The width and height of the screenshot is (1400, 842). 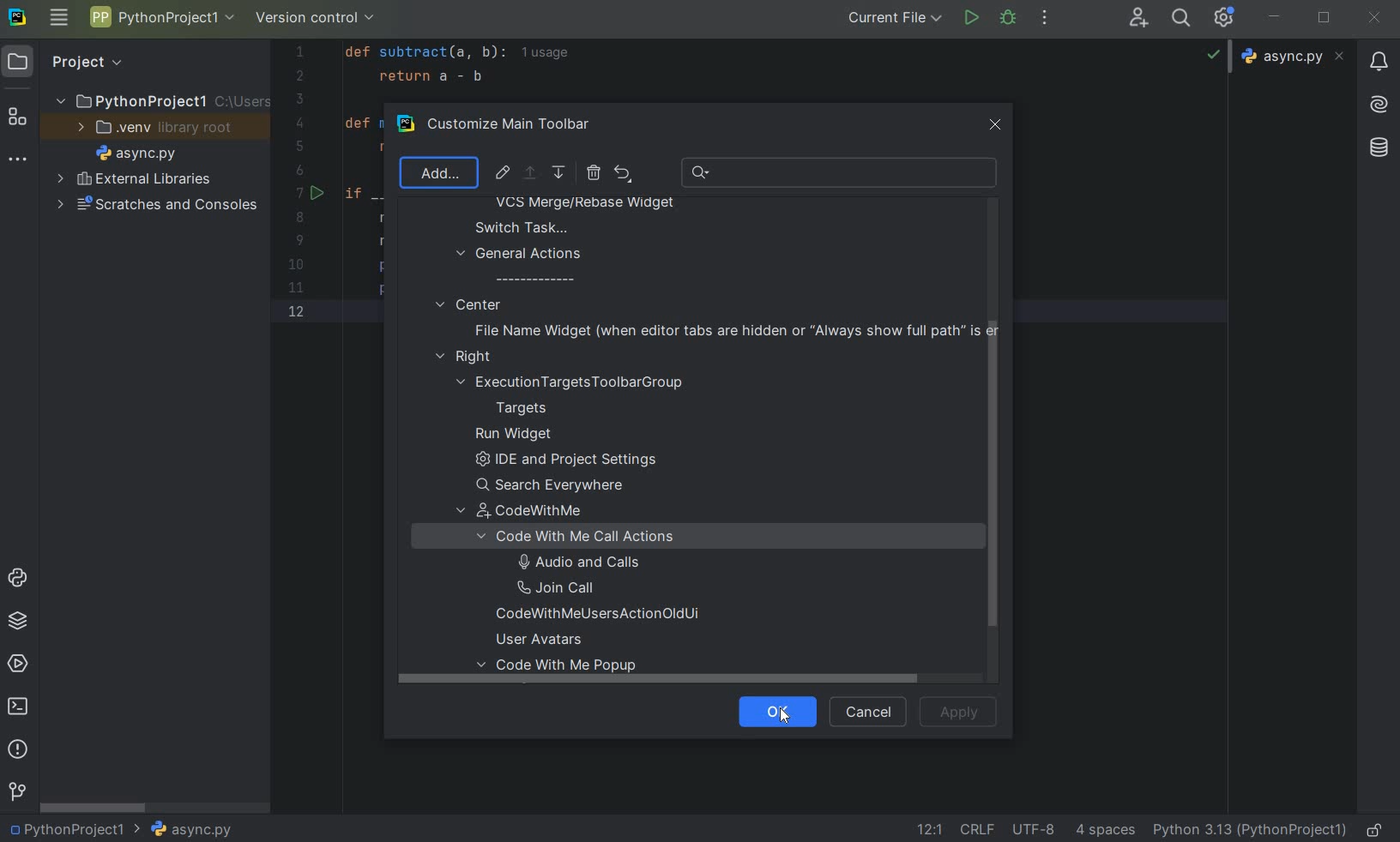 What do you see at coordinates (18, 665) in the screenshot?
I see `SERVICES` at bounding box center [18, 665].